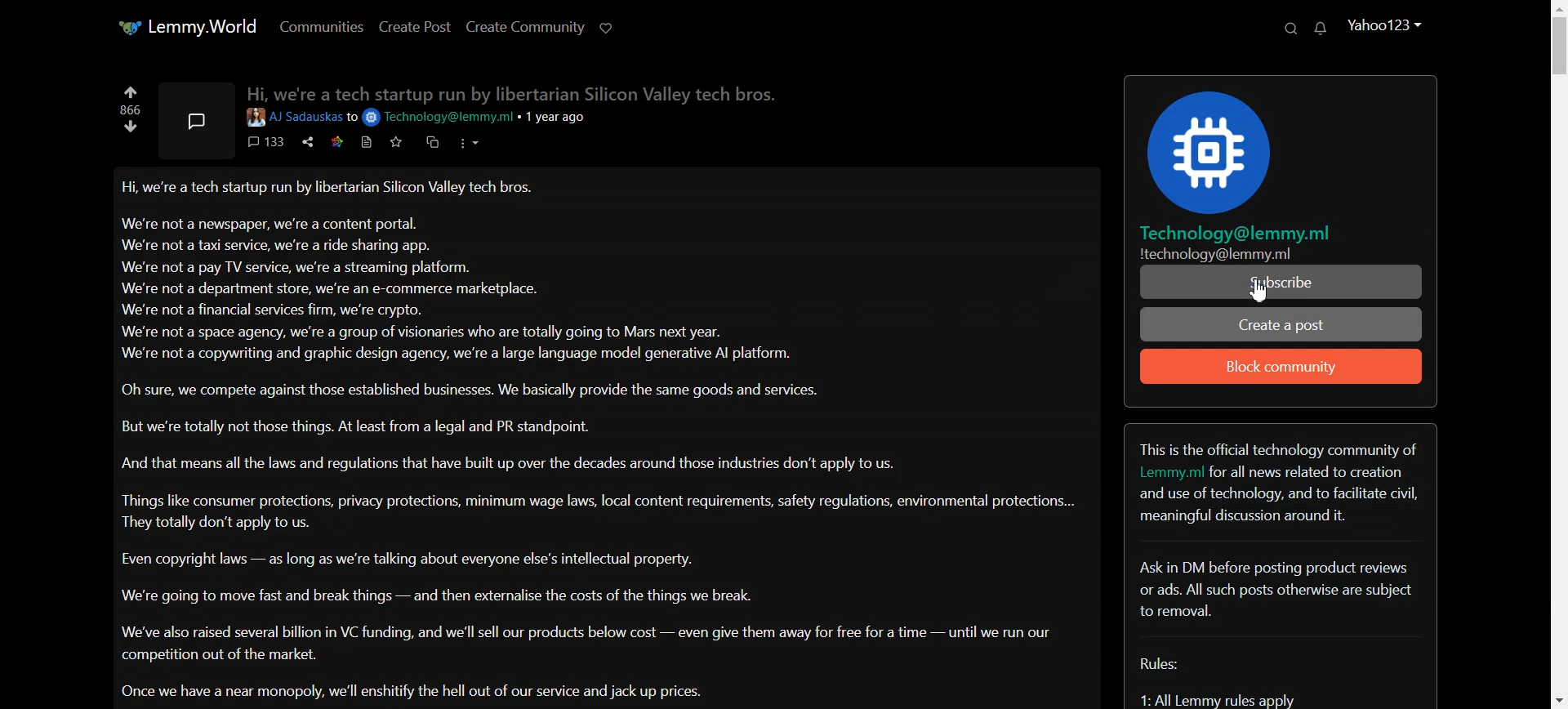 Image resolution: width=1568 pixels, height=709 pixels. What do you see at coordinates (1261, 288) in the screenshot?
I see `Cursor` at bounding box center [1261, 288].